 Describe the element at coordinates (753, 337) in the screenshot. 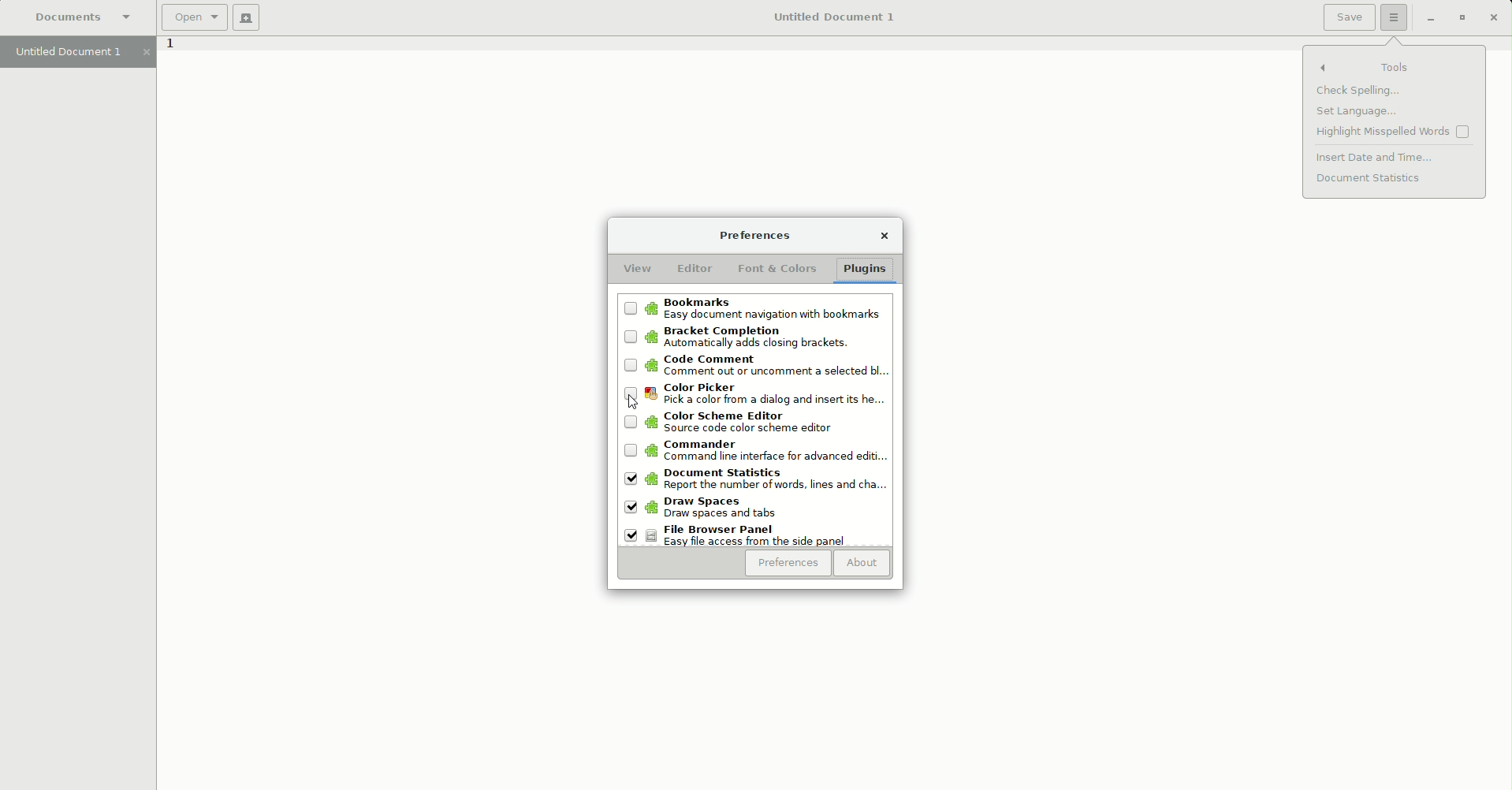

I see `Bracket completion: Automatically adds closing brackets` at that location.